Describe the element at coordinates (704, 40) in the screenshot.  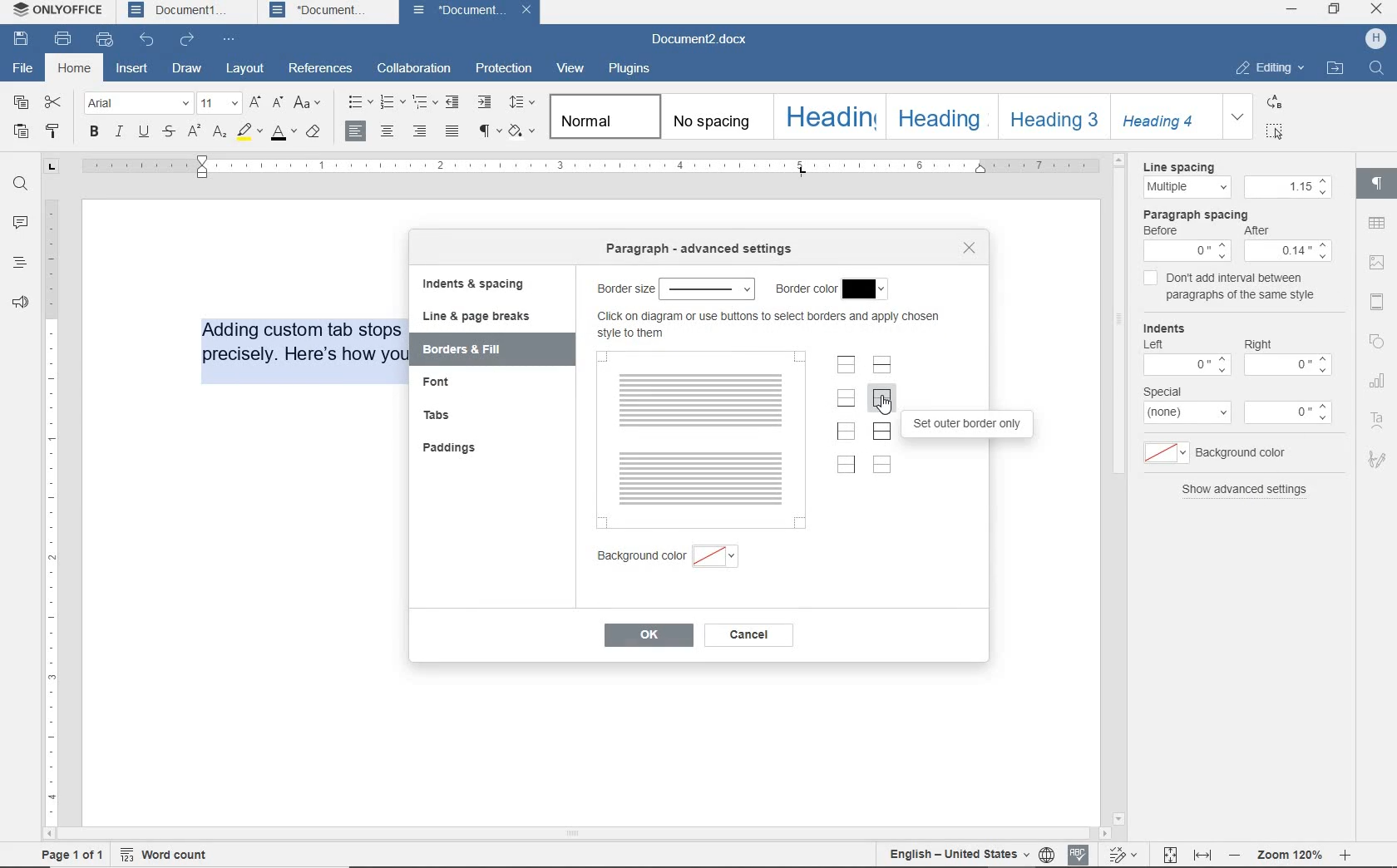
I see `document name` at that location.